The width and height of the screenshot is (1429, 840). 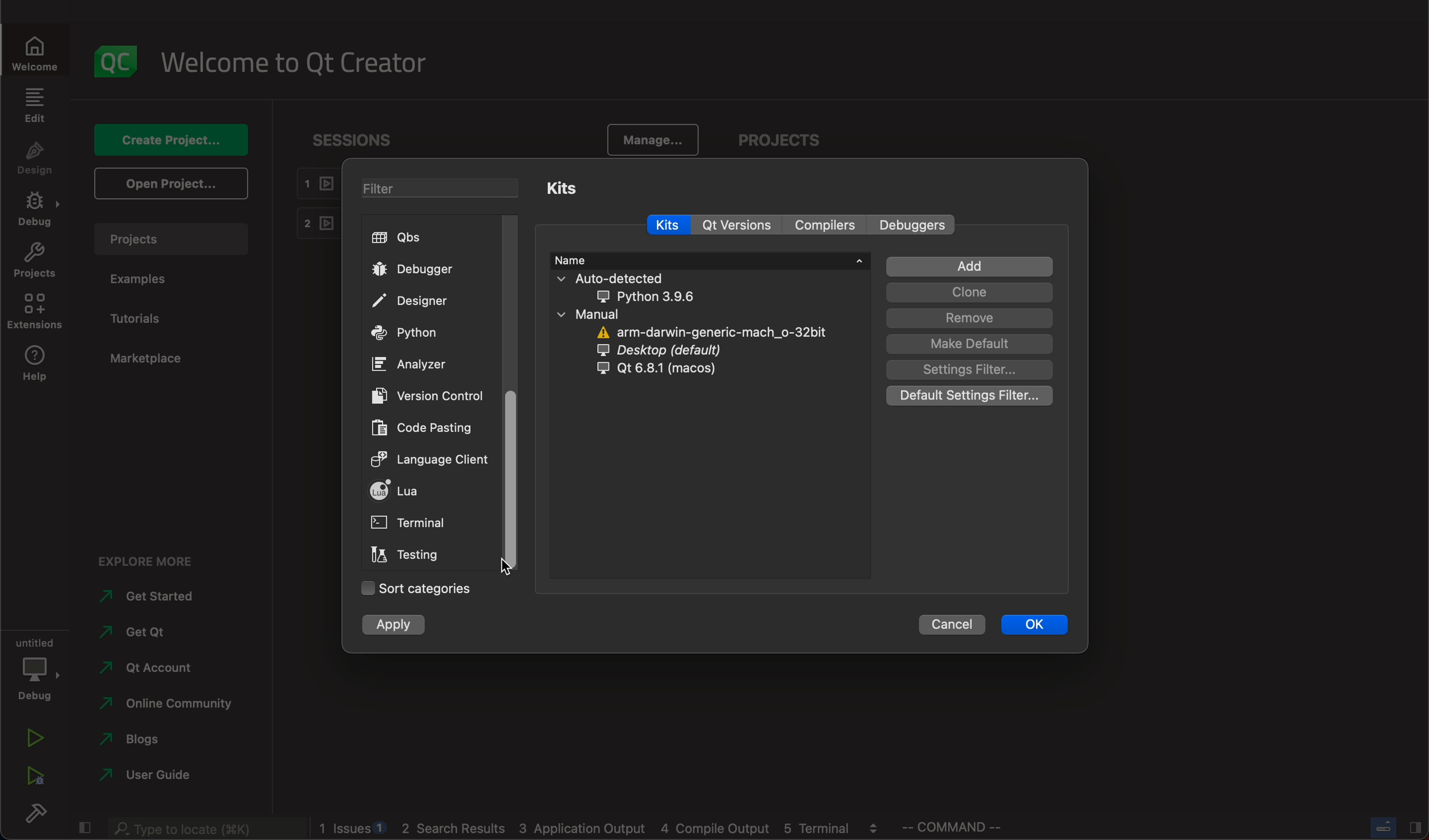 I want to click on welcome, so click(x=293, y=63).